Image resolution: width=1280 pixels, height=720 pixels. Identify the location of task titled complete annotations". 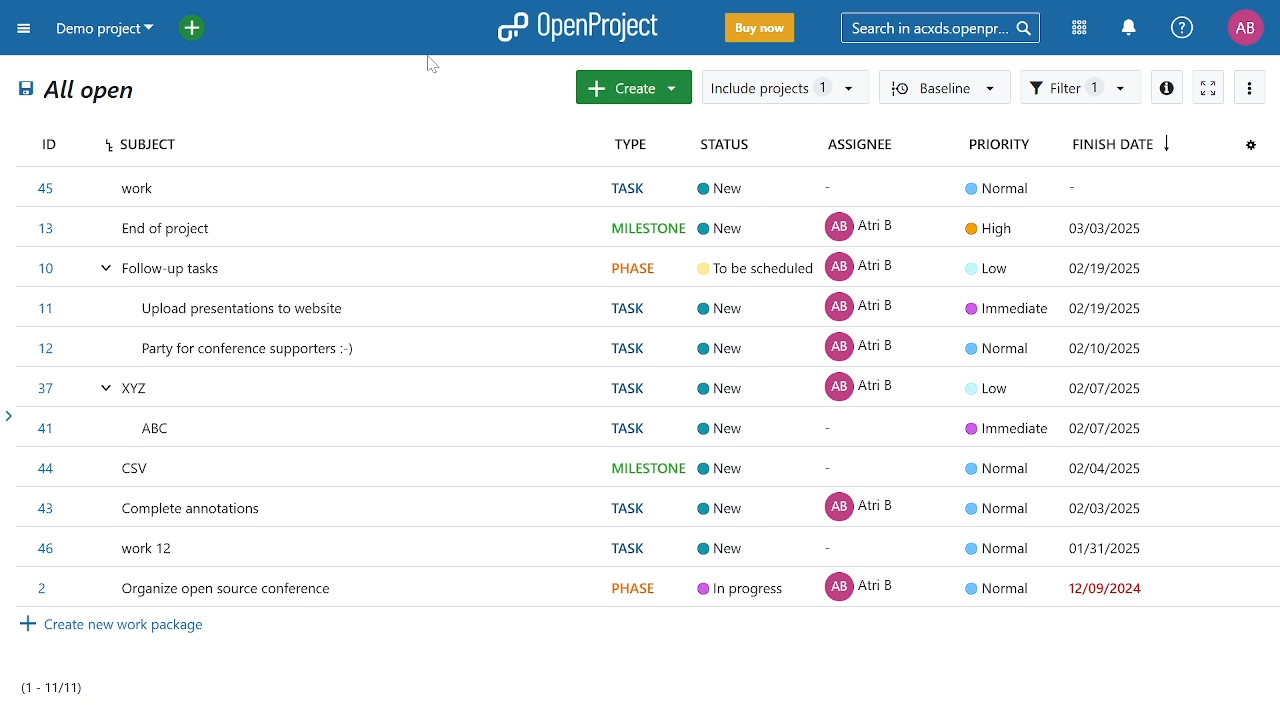
(650, 465).